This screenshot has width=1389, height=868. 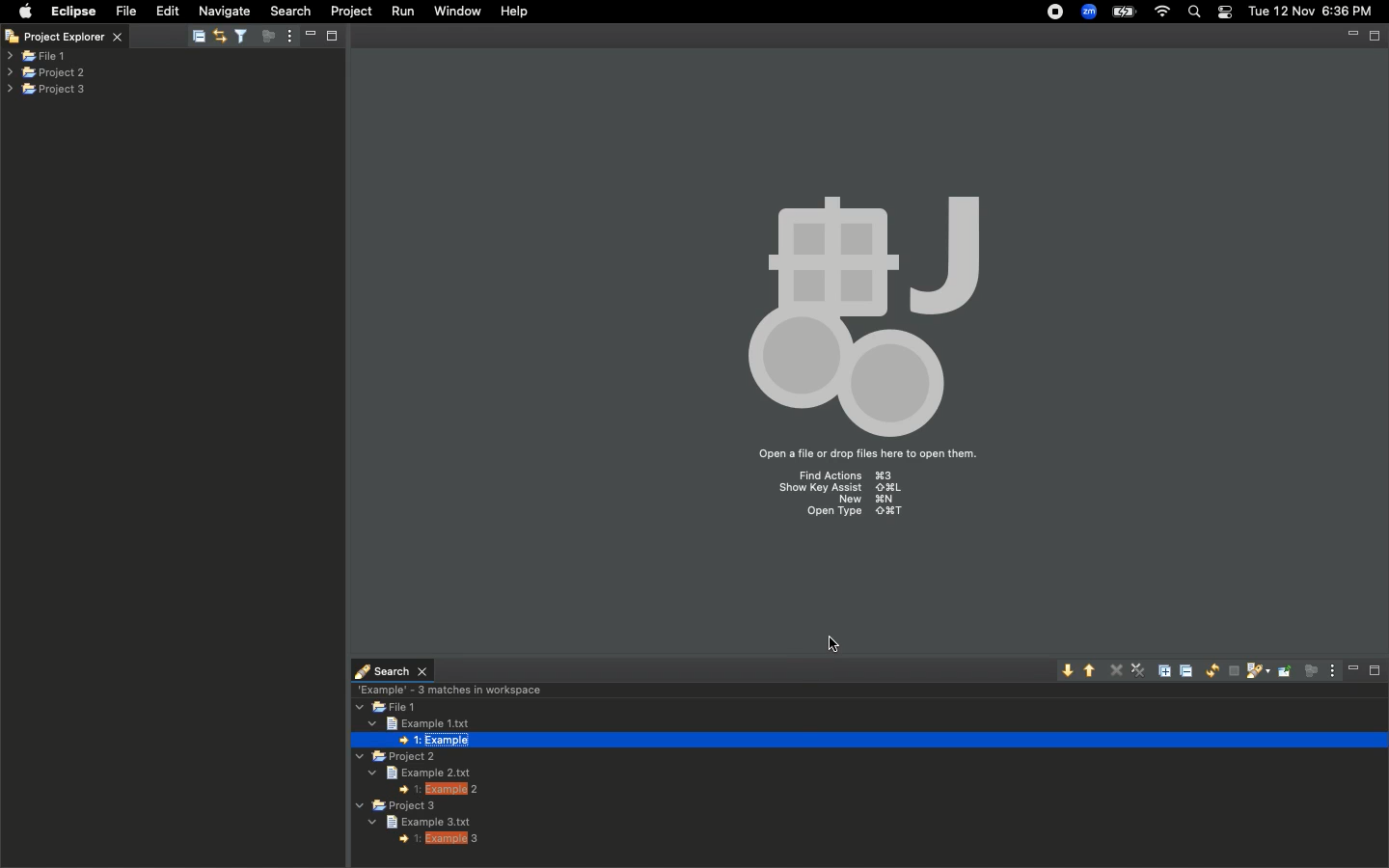 What do you see at coordinates (47, 70) in the screenshot?
I see `Projects` at bounding box center [47, 70].